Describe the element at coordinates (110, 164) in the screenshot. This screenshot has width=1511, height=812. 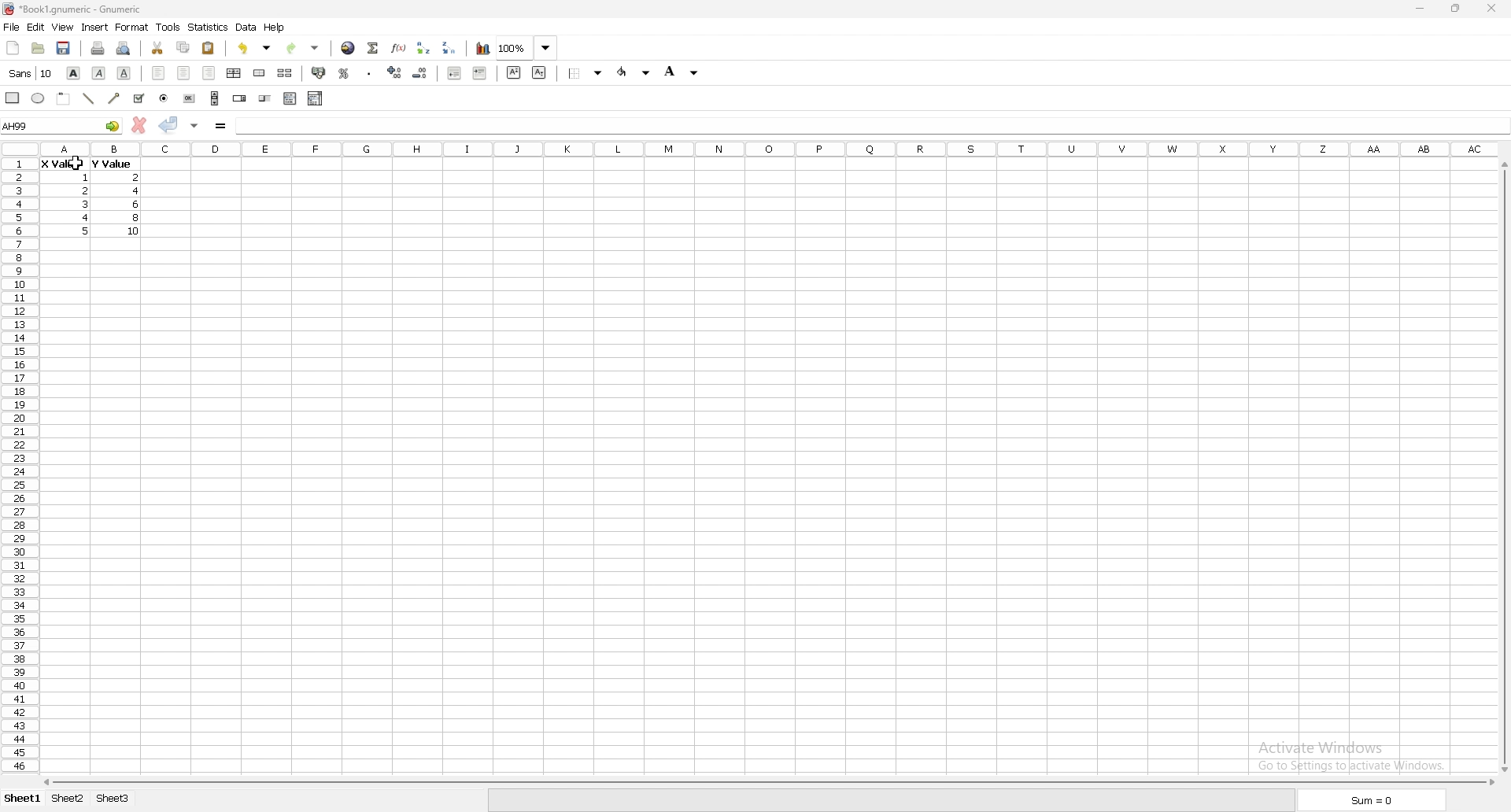
I see `value` at that location.